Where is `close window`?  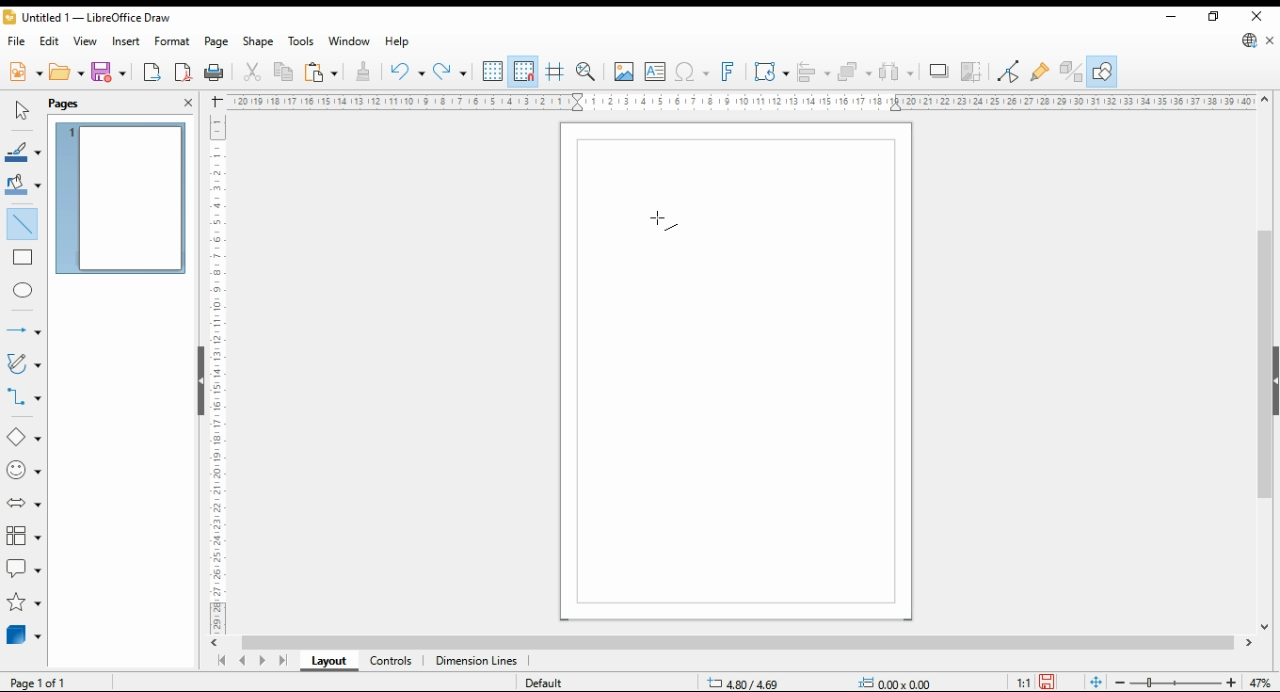 close window is located at coordinates (1259, 16).